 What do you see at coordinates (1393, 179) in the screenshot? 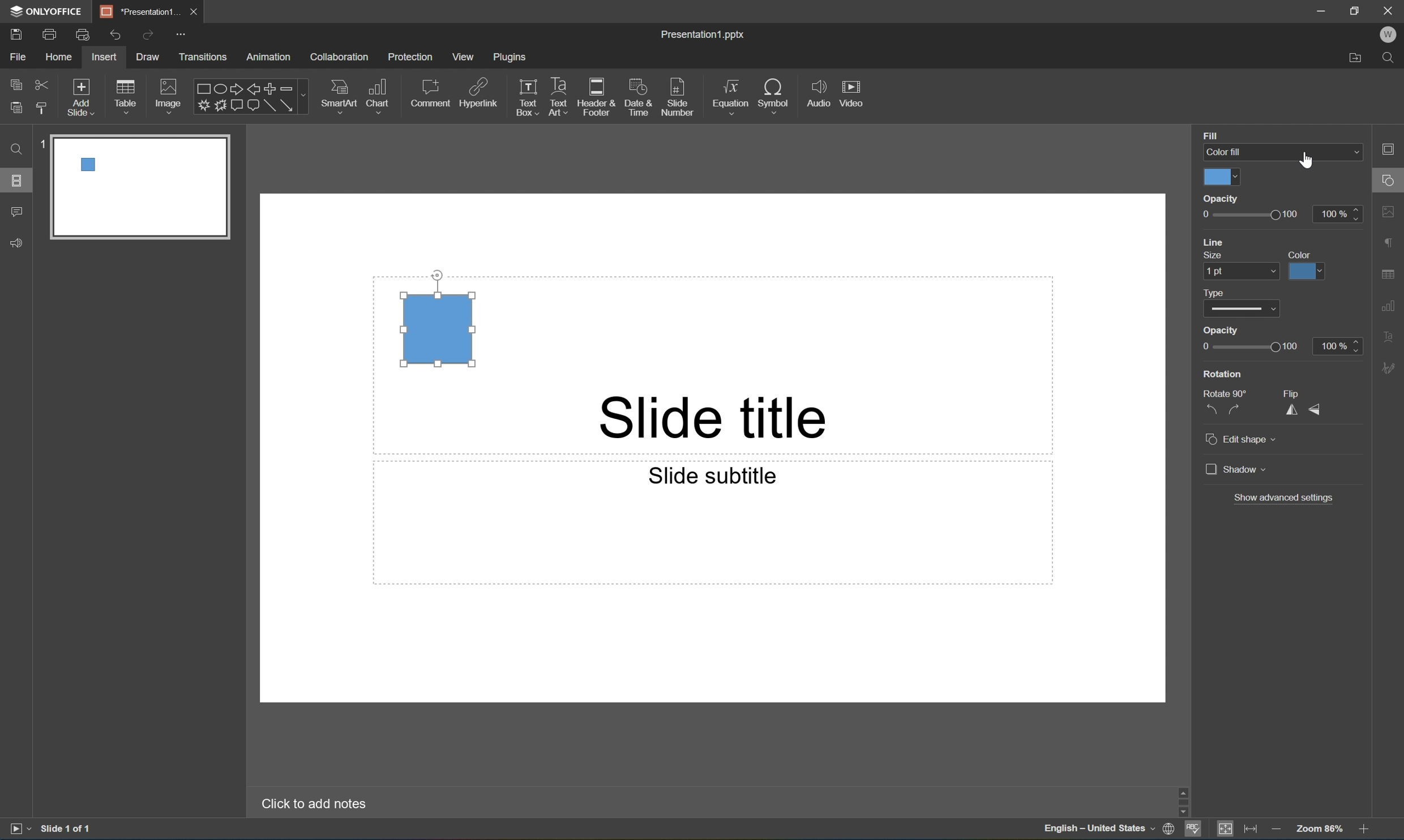
I see `Shape settings` at bounding box center [1393, 179].